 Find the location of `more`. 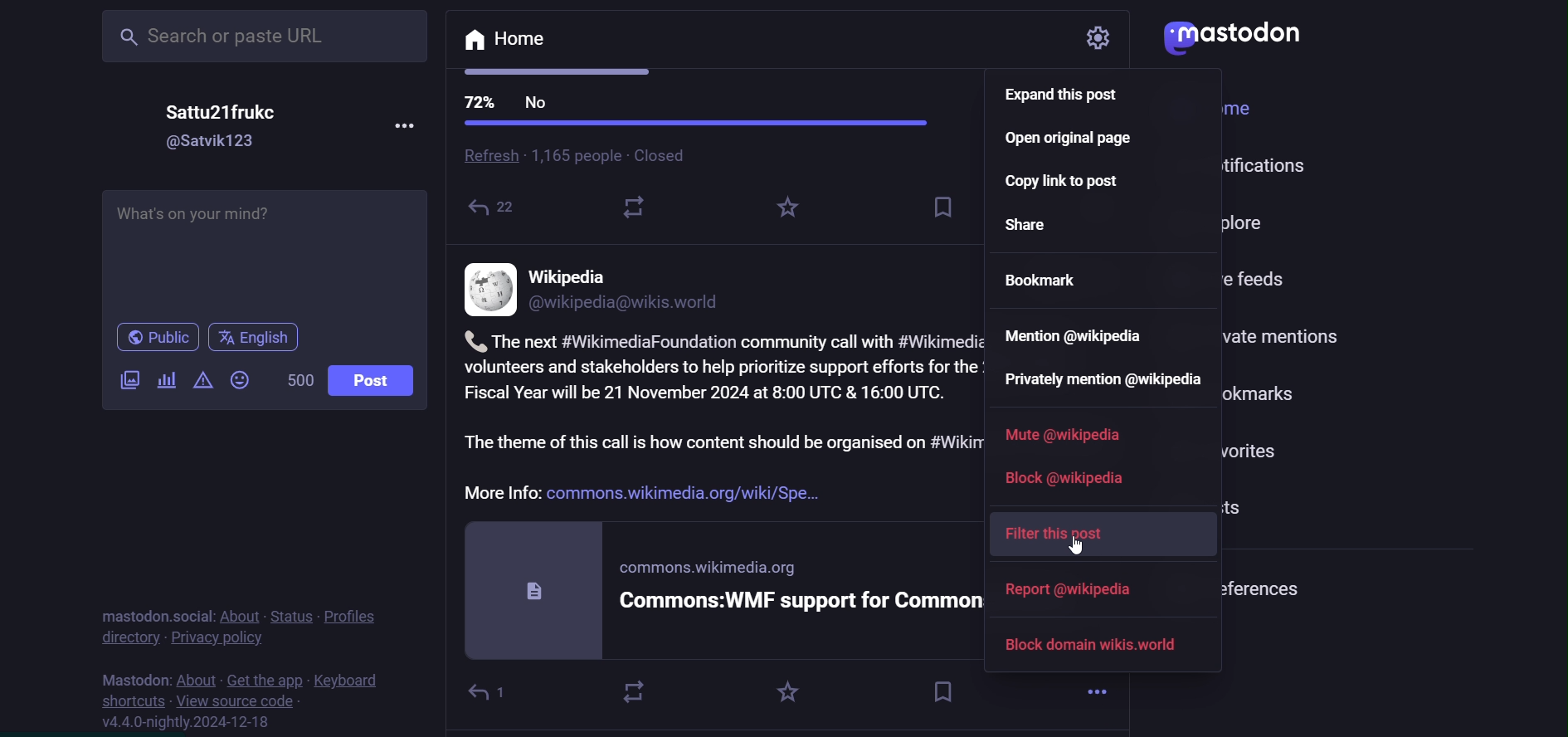

more is located at coordinates (1100, 688).